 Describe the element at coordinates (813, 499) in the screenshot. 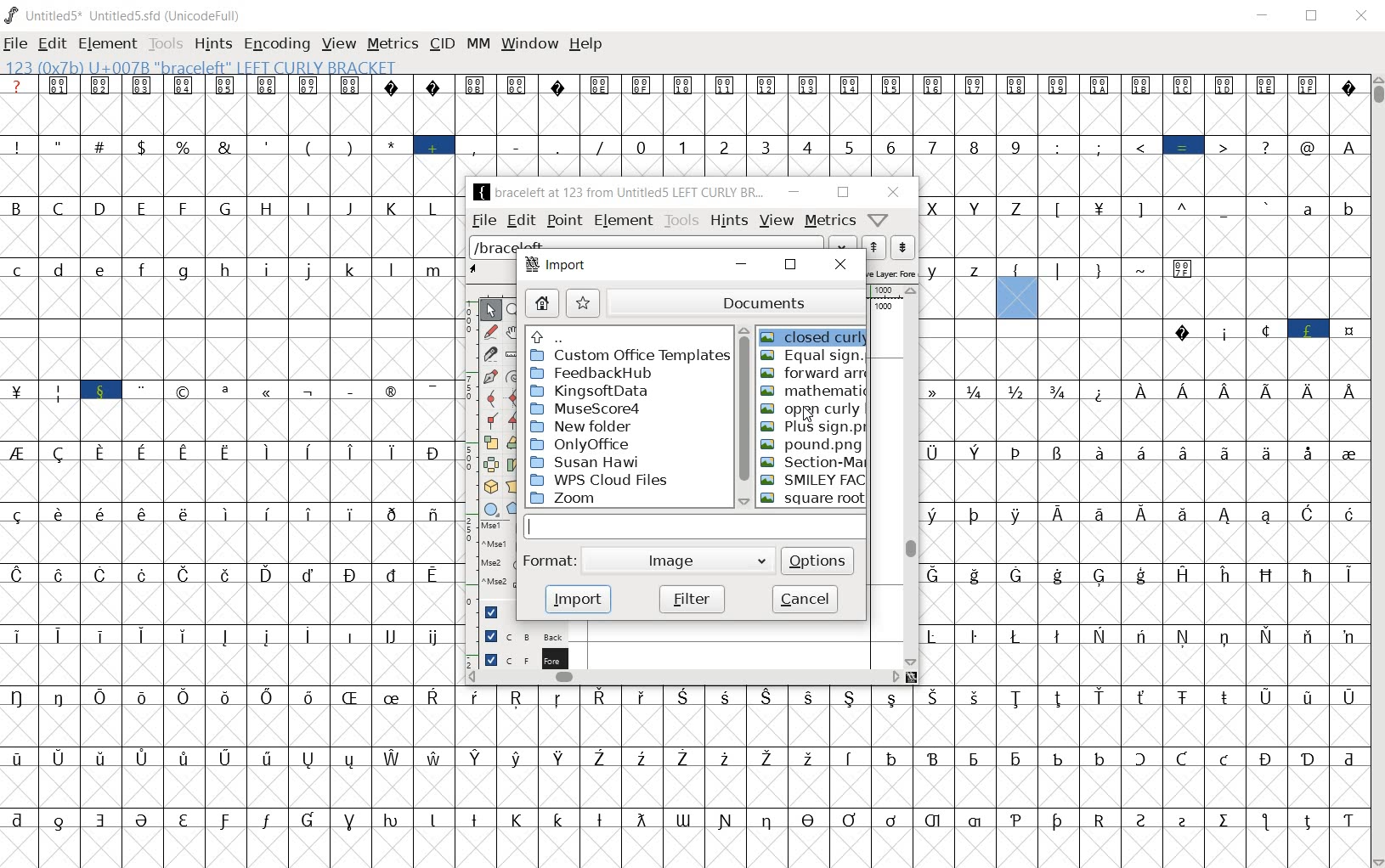

I see `square root` at that location.